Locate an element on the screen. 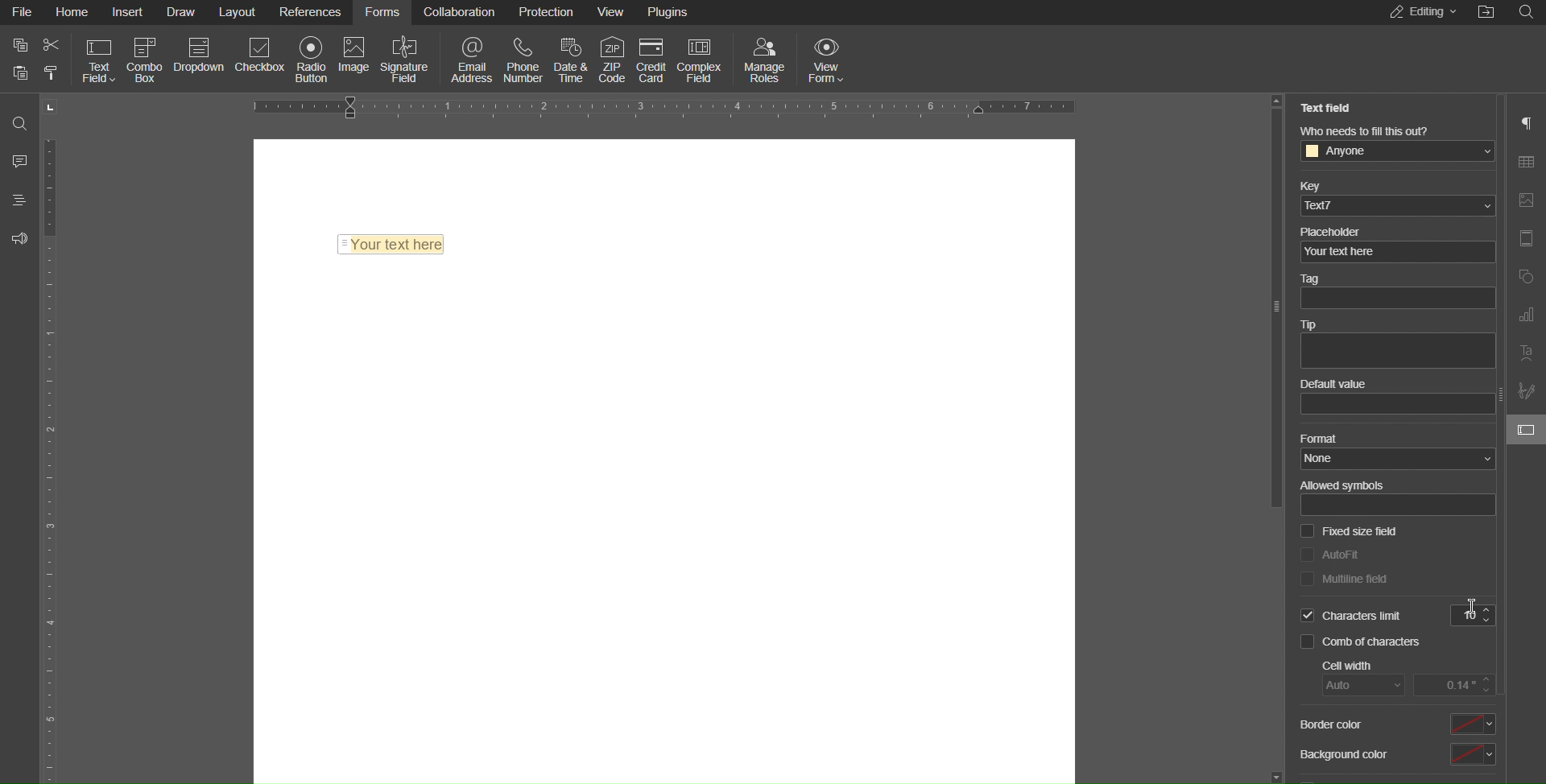 Image resolution: width=1546 pixels, height=784 pixels. Forms is located at coordinates (384, 14).